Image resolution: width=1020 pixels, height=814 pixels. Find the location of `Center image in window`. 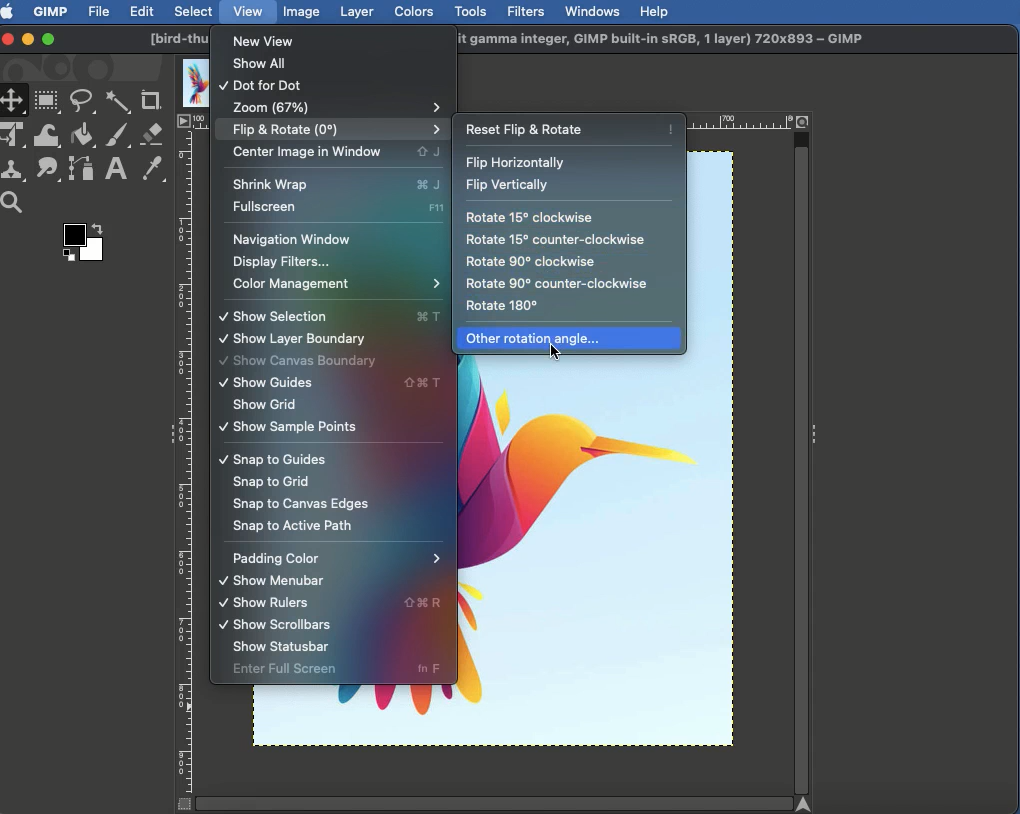

Center image in window is located at coordinates (310, 153).